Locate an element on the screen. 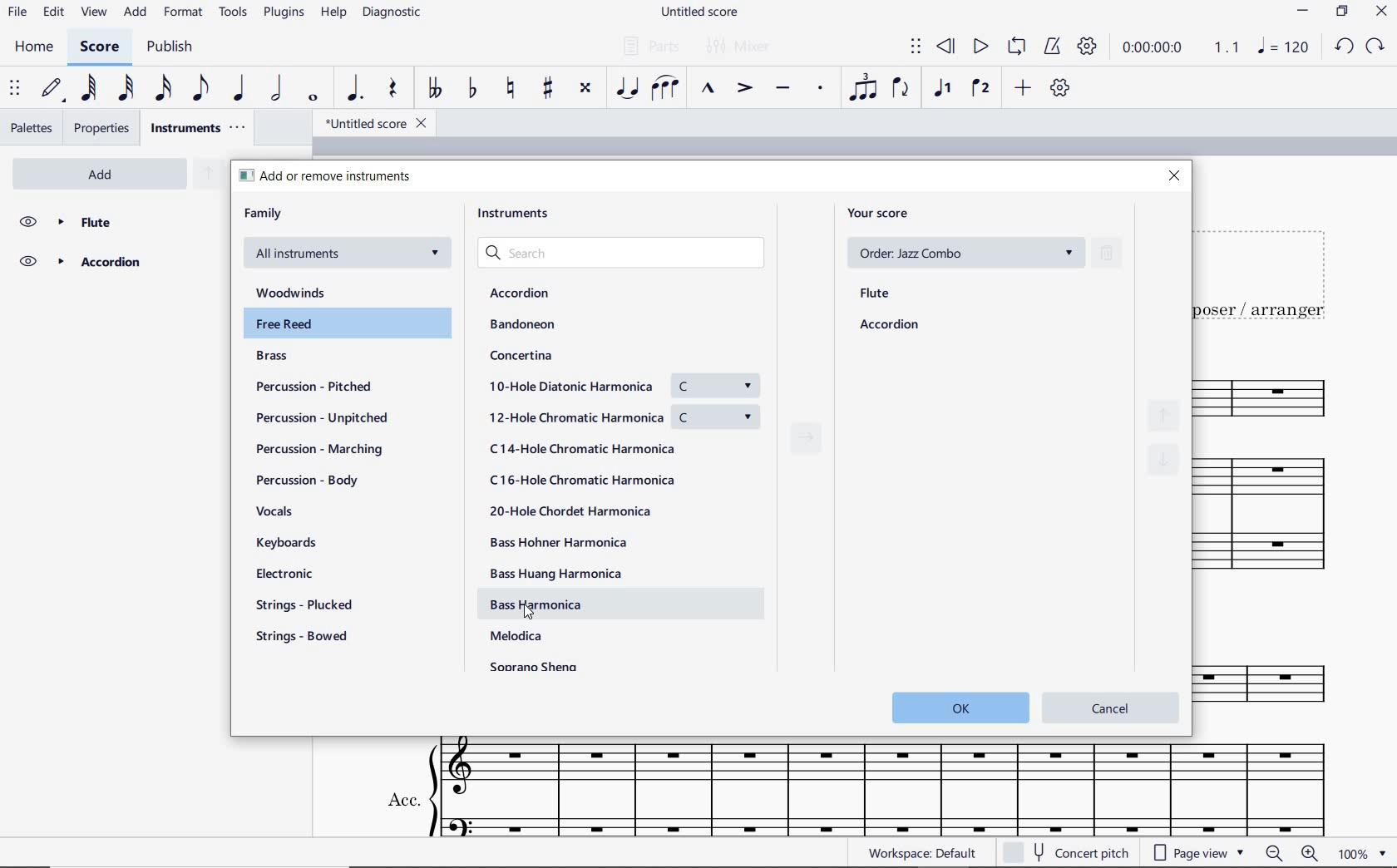 Image resolution: width=1397 pixels, height=868 pixels. UNDO is located at coordinates (1344, 46).